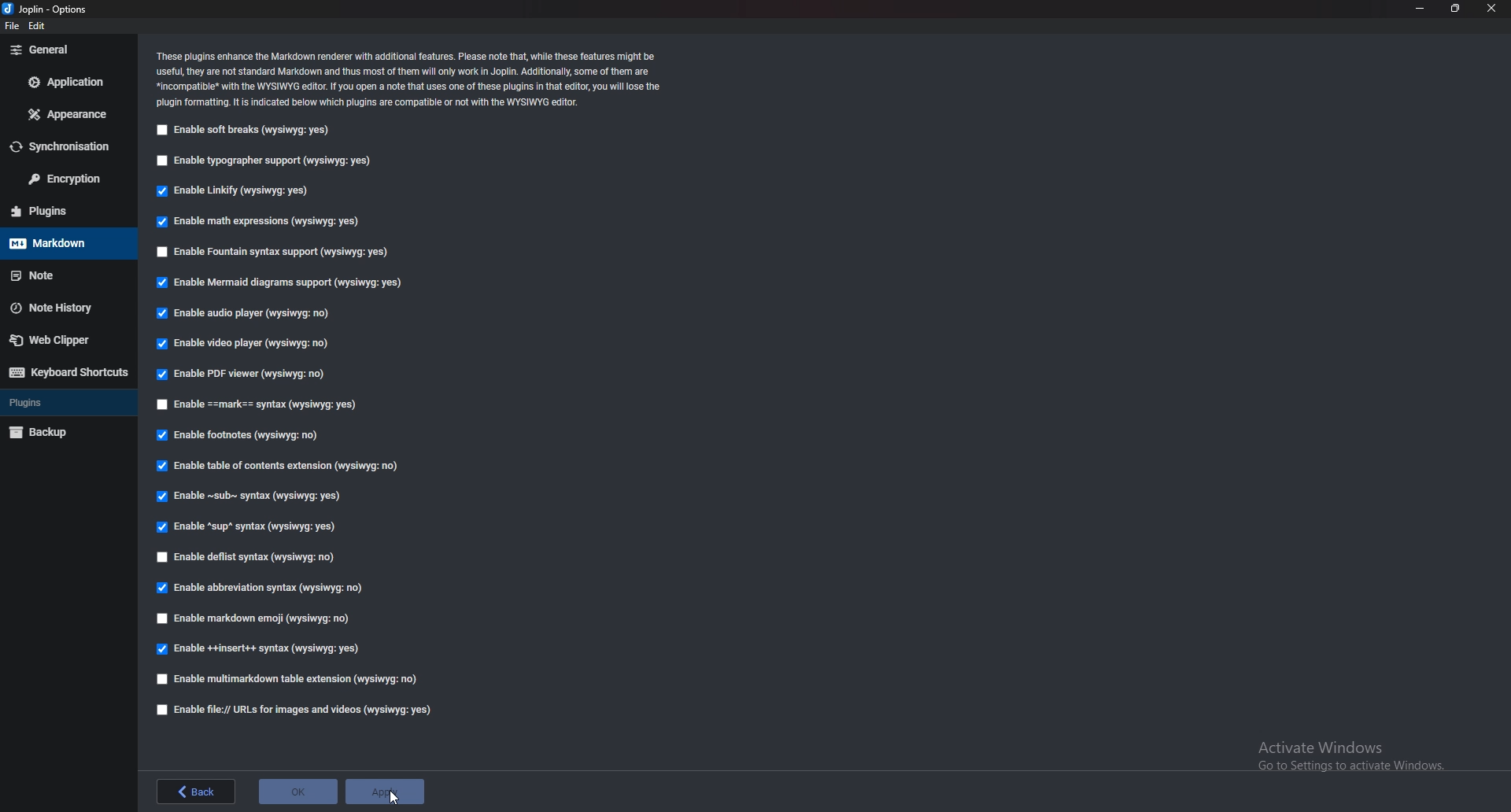  I want to click on Enable soft breaks, so click(245, 129).